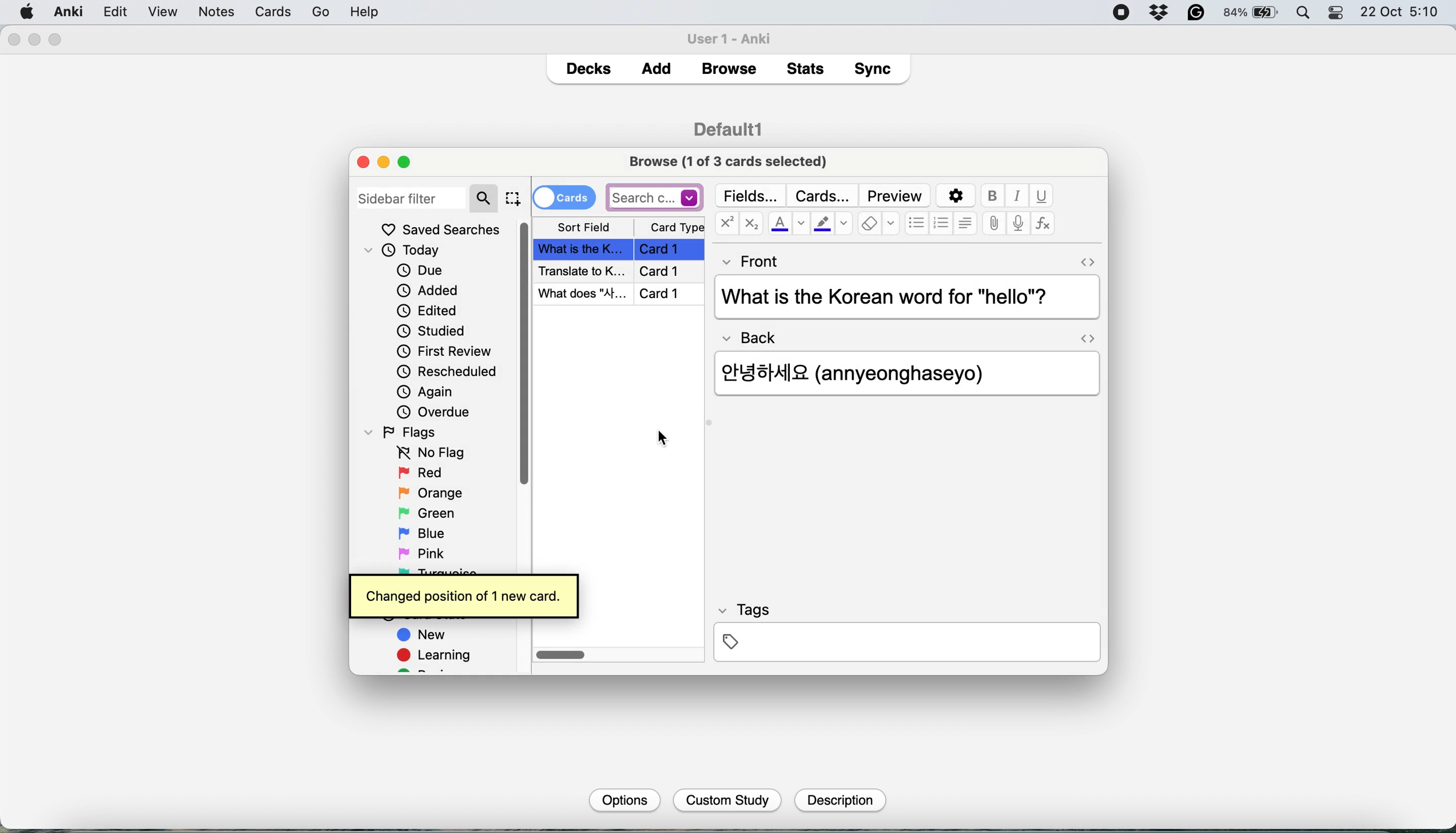 The height and width of the screenshot is (833, 1456). I want to click on Options, so click(623, 799).